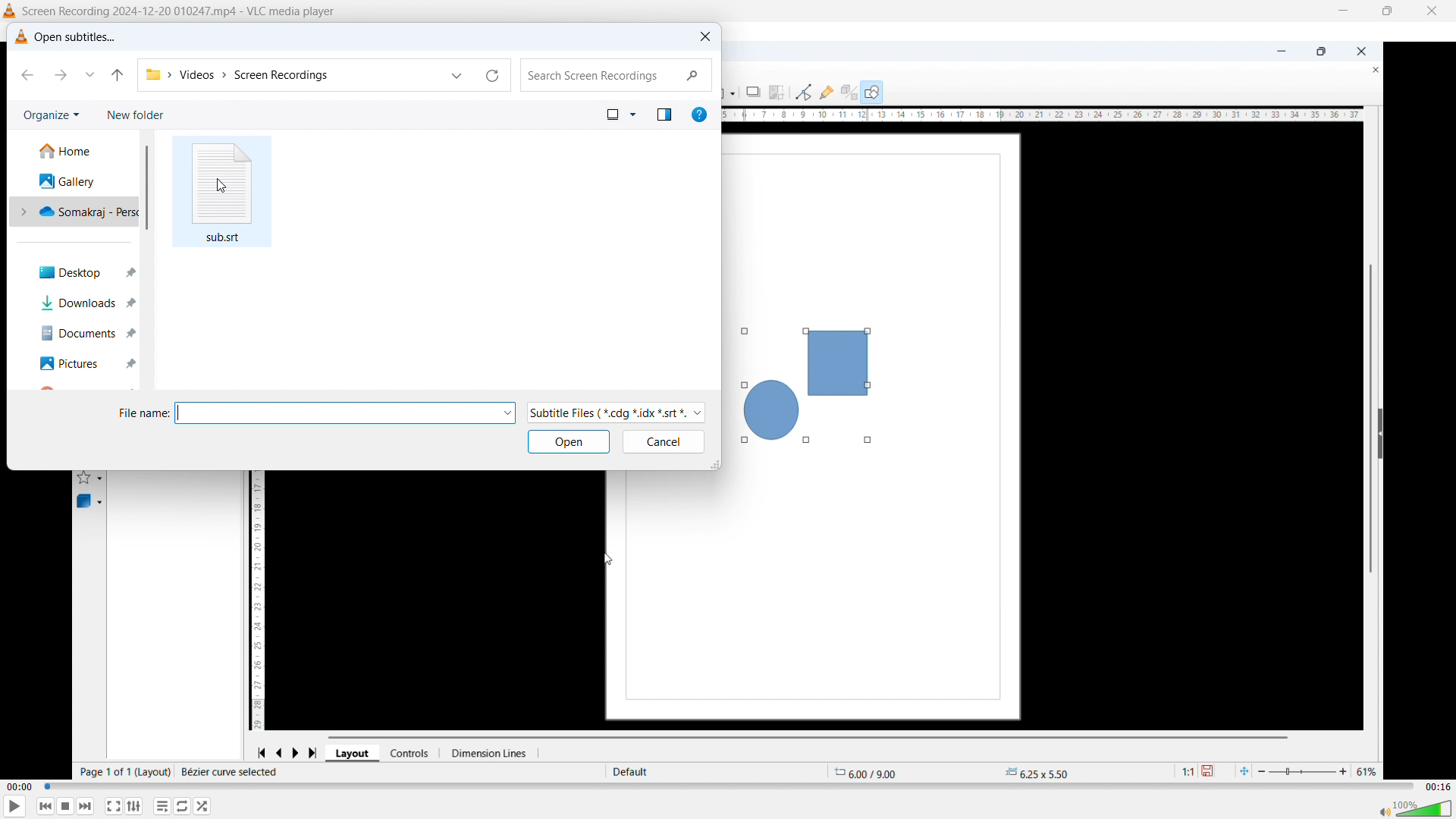  What do you see at coordinates (19, 37) in the screenshot?
I see `vlc media player logo` at bounding box center [19, 37].